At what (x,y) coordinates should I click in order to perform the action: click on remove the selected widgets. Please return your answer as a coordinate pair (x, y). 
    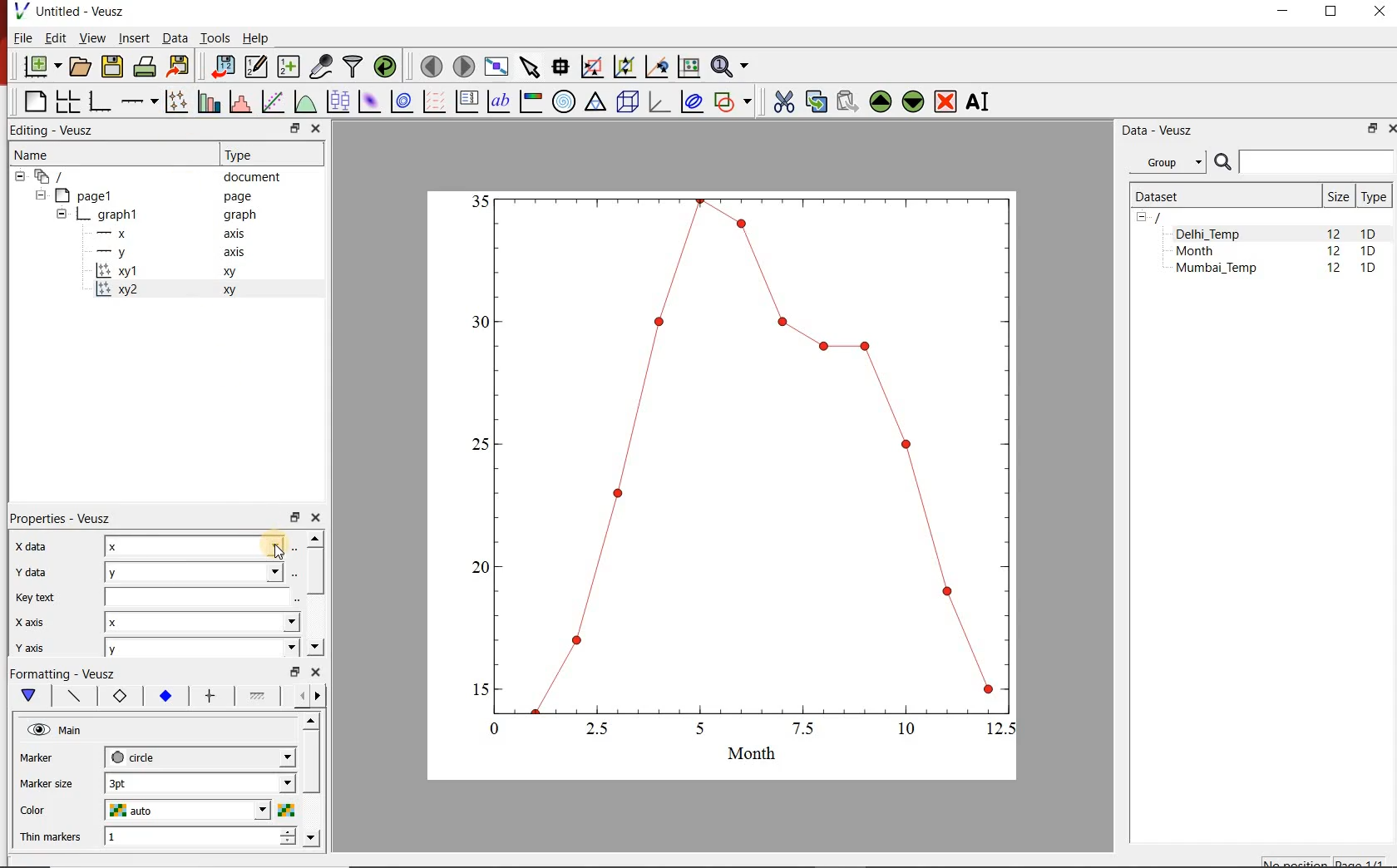
    Looking at the image, I should click on (946, 101).